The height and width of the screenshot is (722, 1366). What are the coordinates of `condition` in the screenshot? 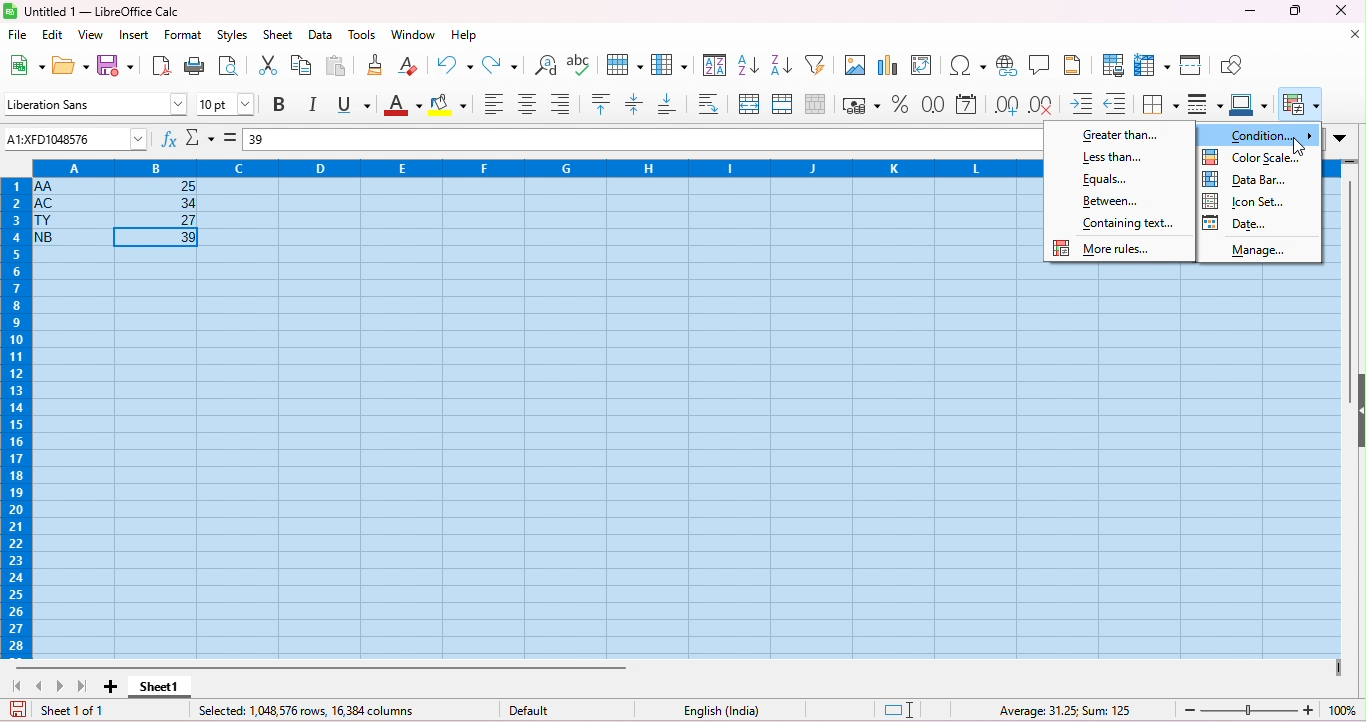 It's located at (1261, 136).